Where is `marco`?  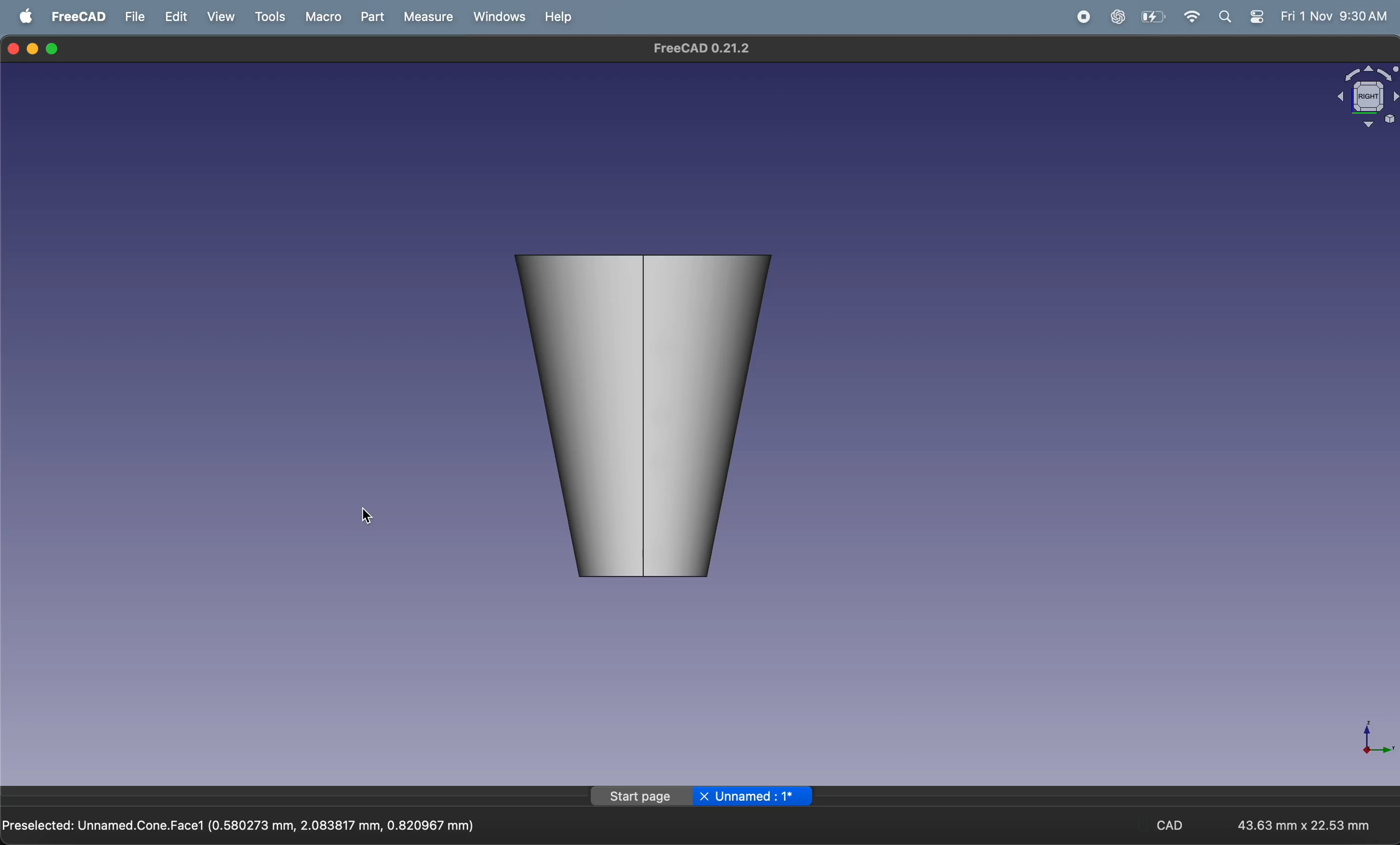
marco is located at coordinates (319, 16).